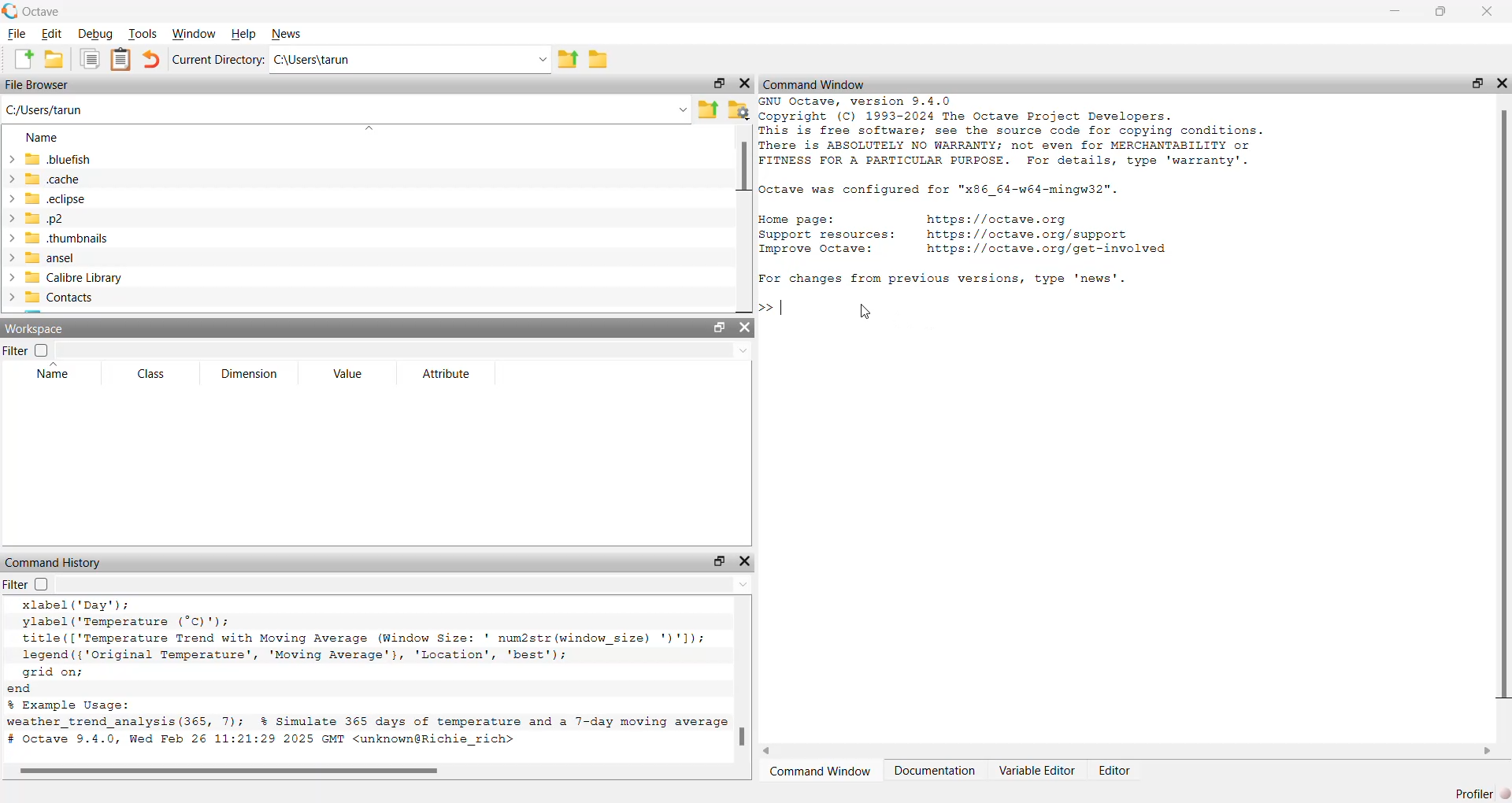 The width and height of the screenshot is (1512, 803). What do you see at coordinates (39, 84) in the screenshot?
I see `File Browser` at bounding box center [39, 84].